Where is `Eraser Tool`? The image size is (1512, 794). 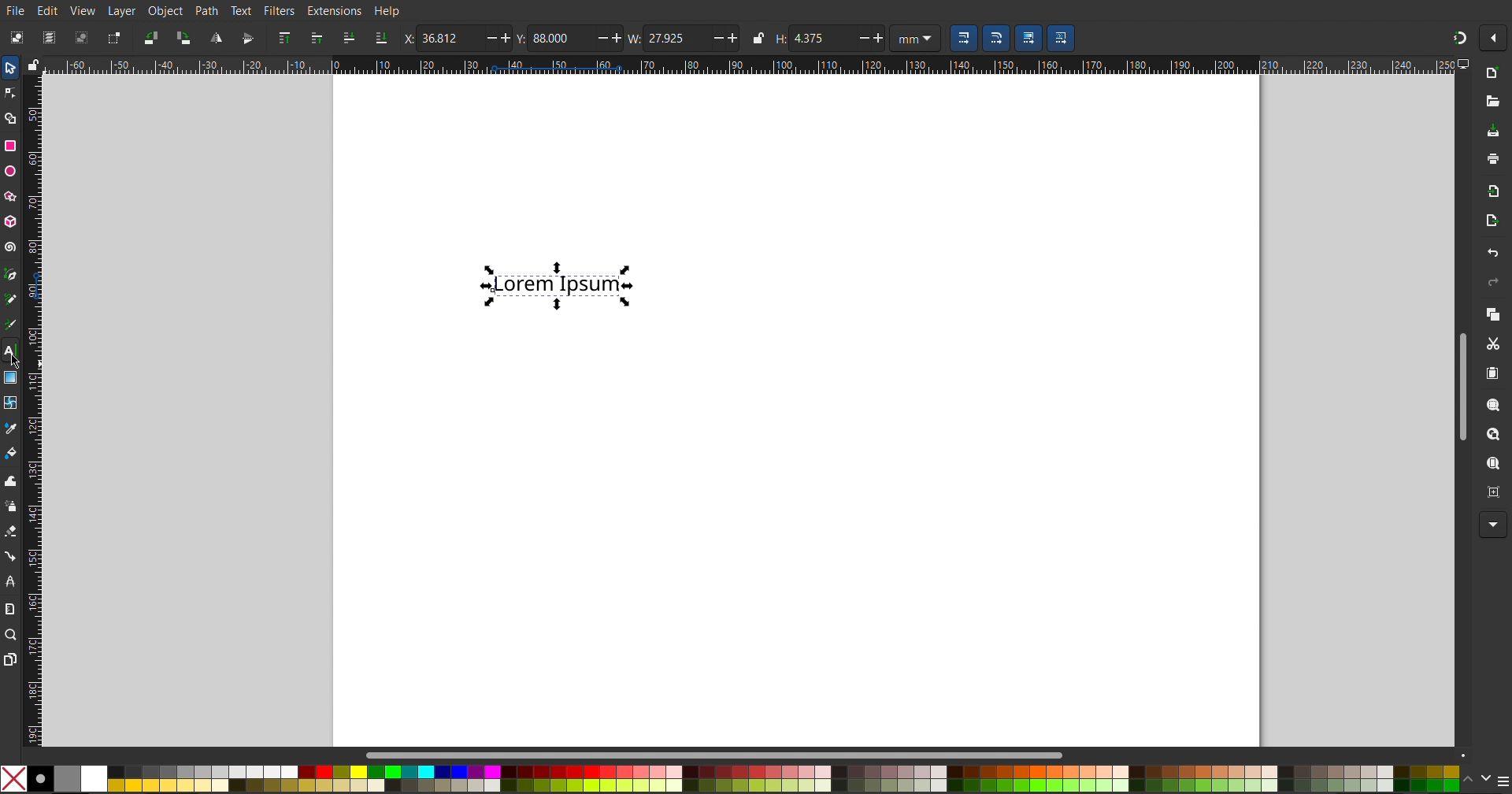 Eraser Tool is located at coordinates (11, 531).